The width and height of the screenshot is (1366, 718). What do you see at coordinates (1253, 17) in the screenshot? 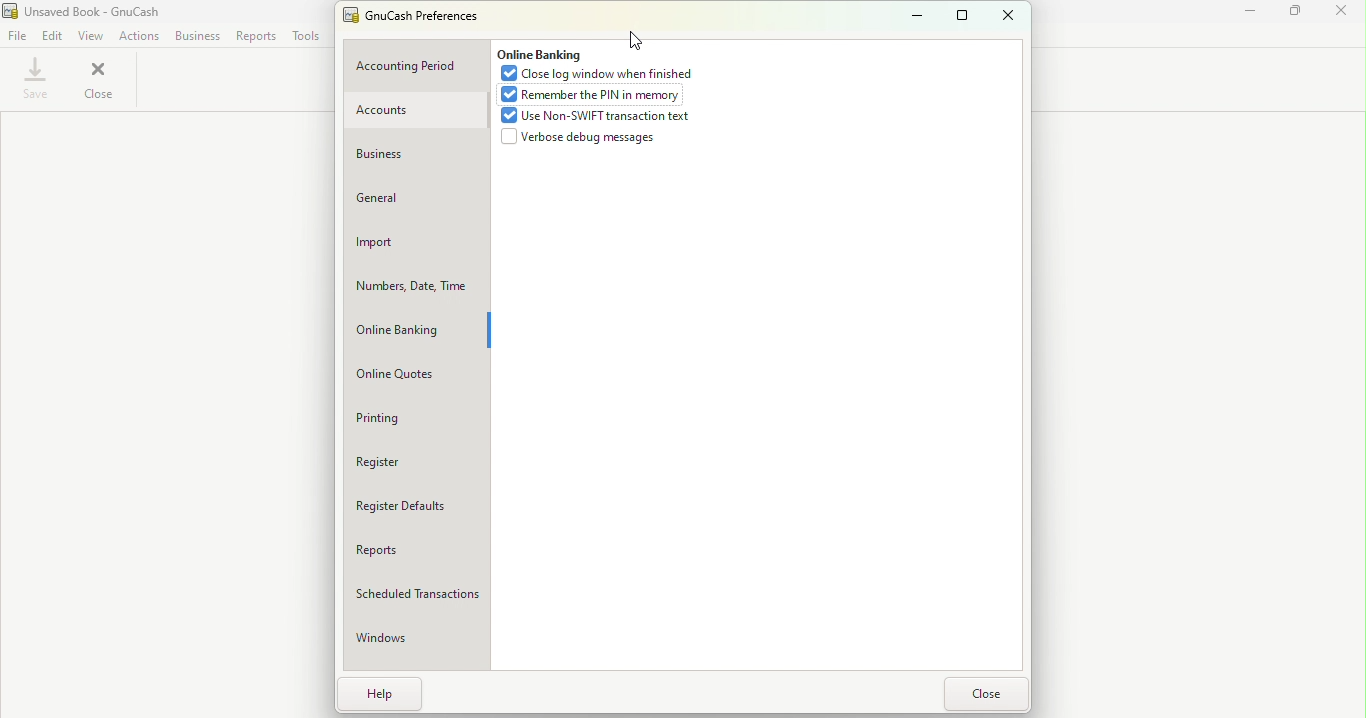
I see `Minimize` at bounding box center [1253, 17].